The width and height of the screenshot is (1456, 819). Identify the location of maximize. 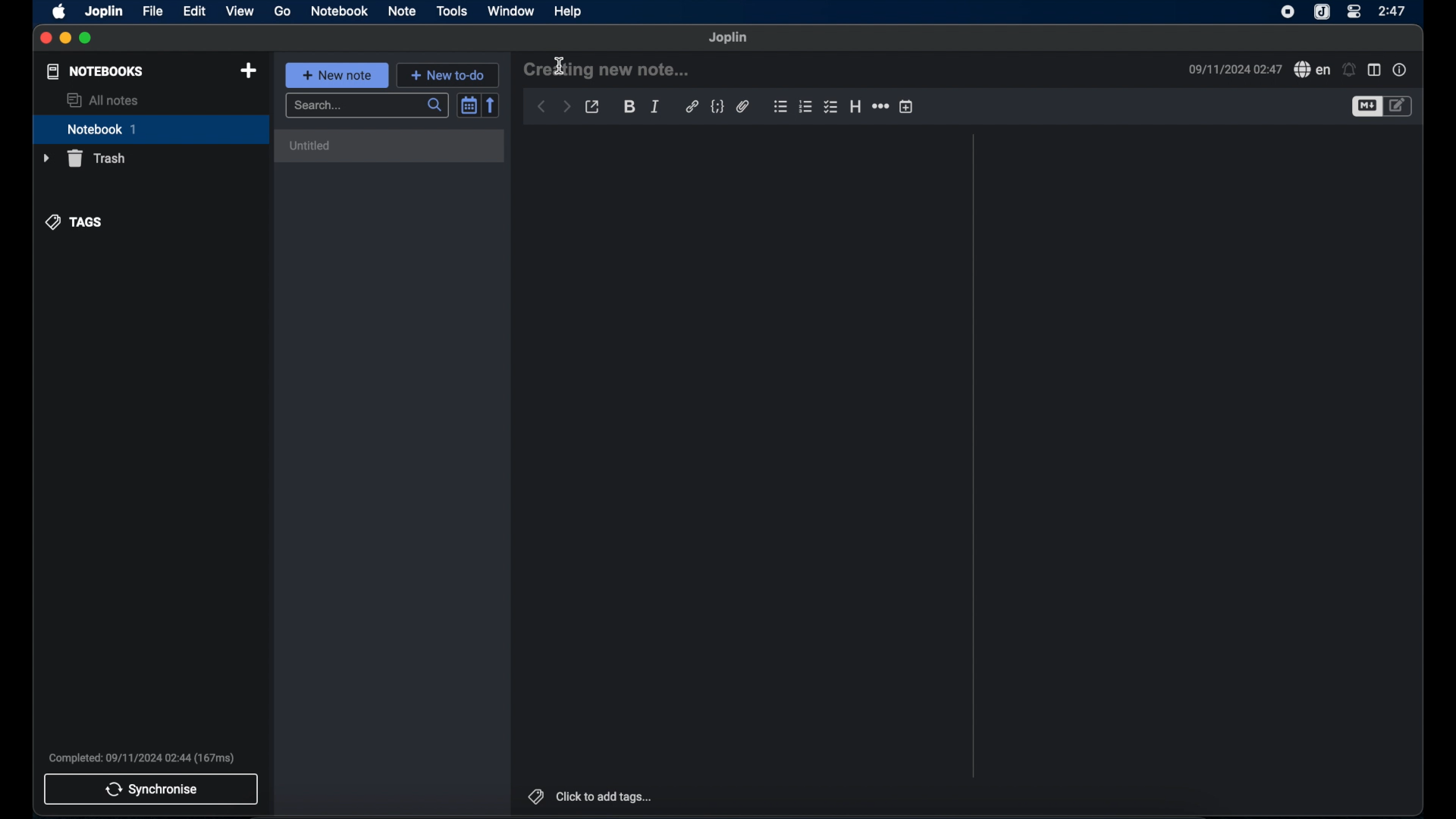
(86, 38).